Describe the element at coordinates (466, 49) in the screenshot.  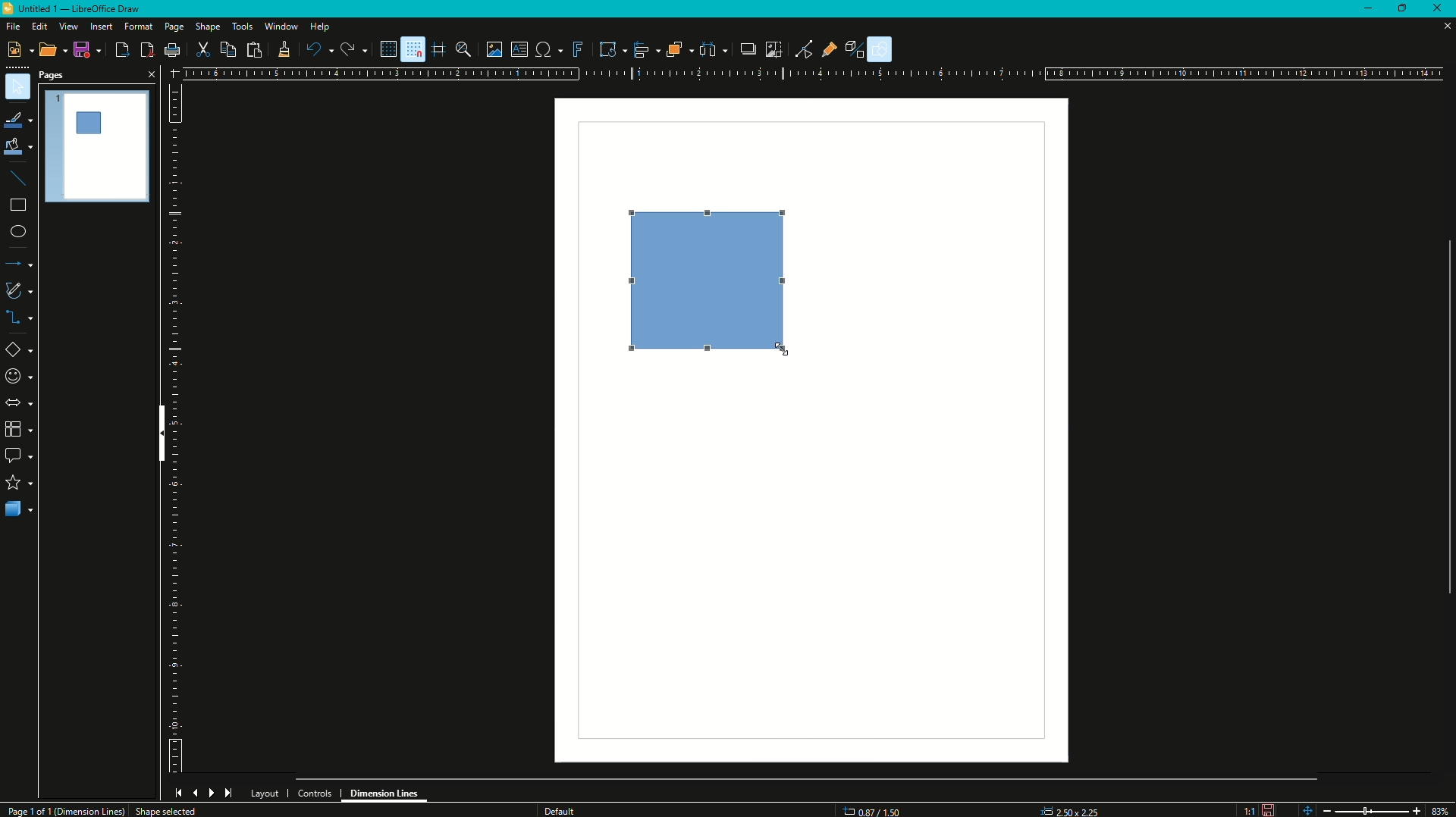
I see `Zoom and Pan` at that location.